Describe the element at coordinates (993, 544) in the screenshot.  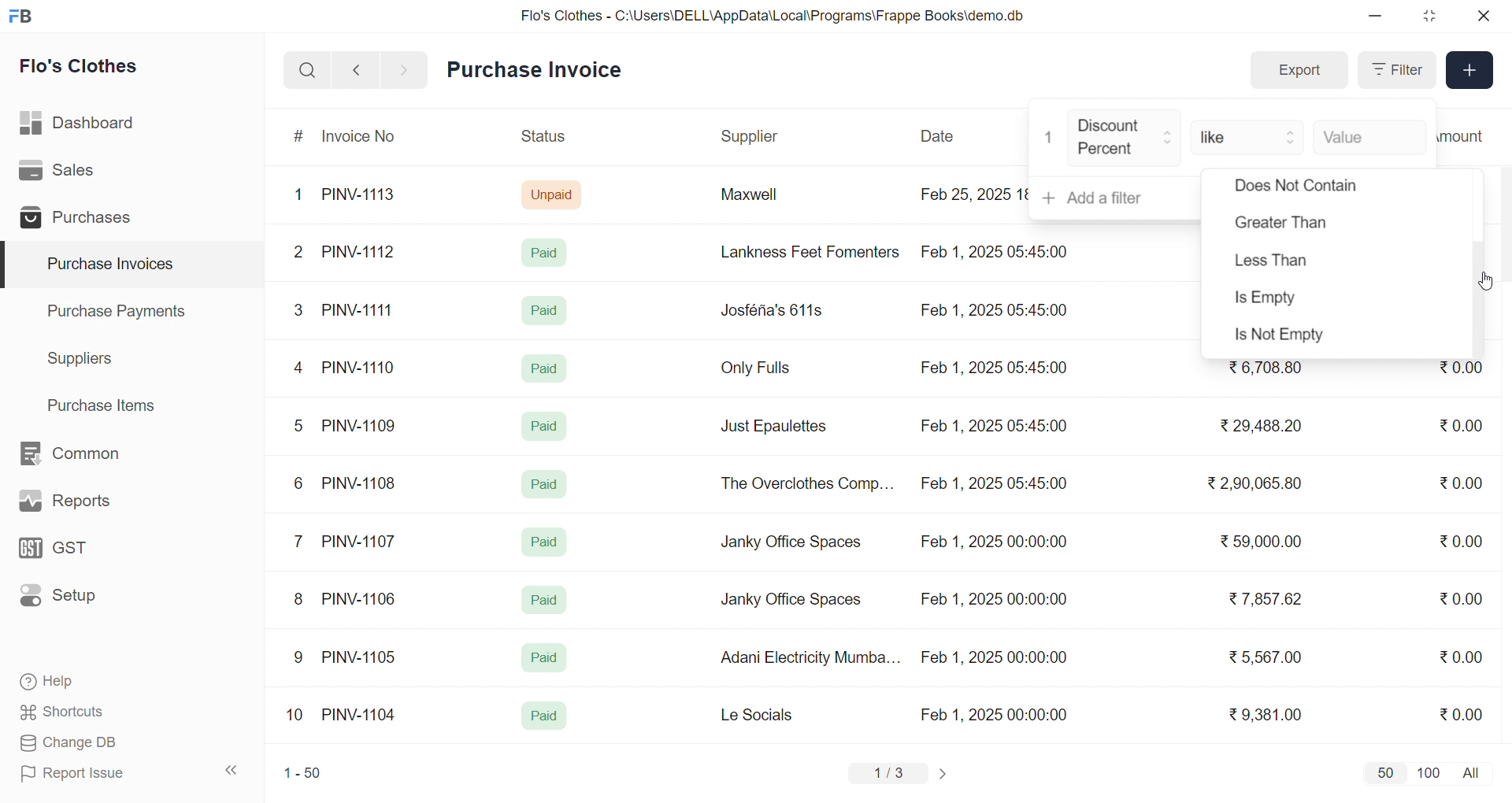
I see `Feb 1, 2025 00:00:00` at that location.